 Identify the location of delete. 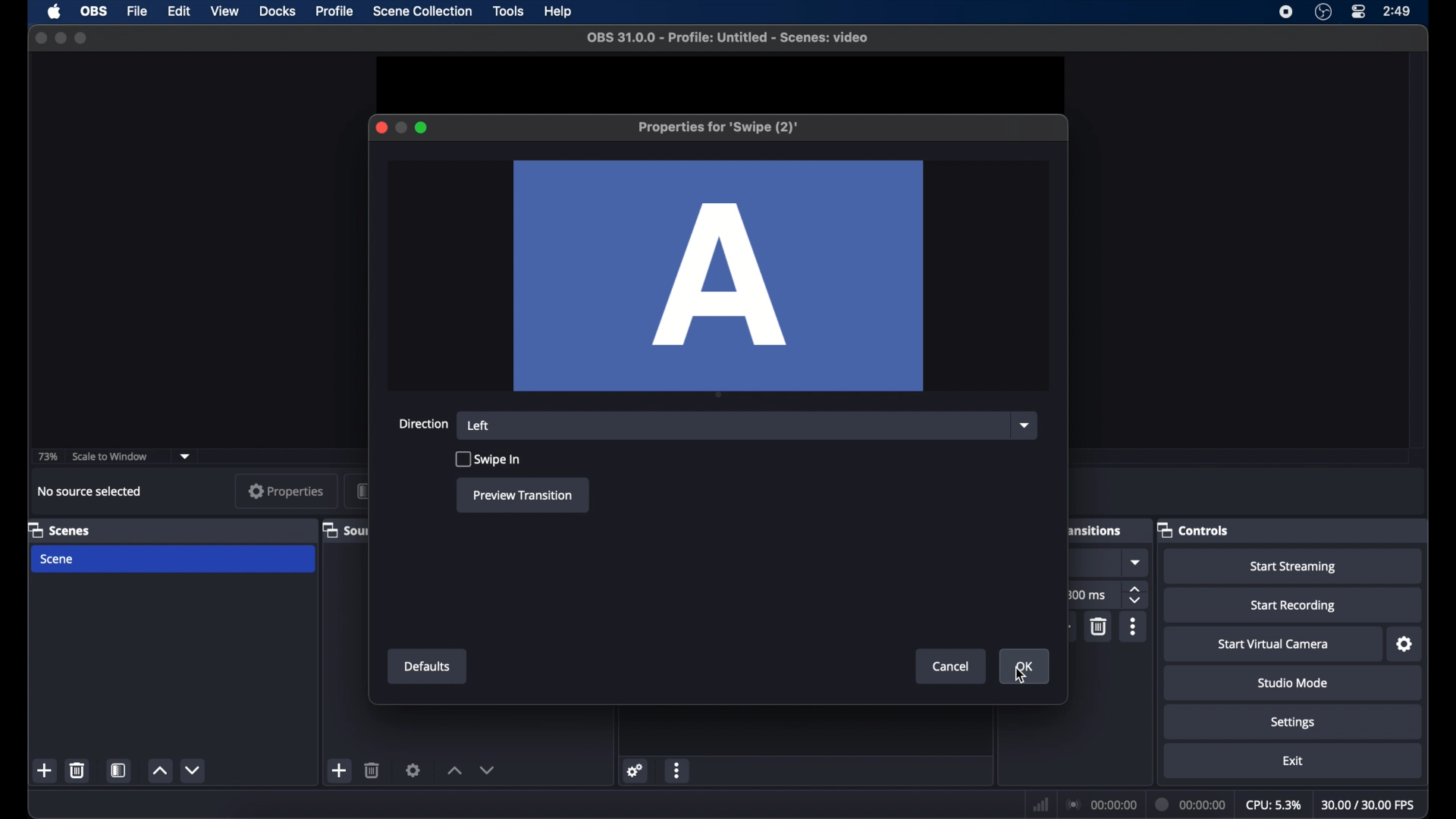
(77, 770).